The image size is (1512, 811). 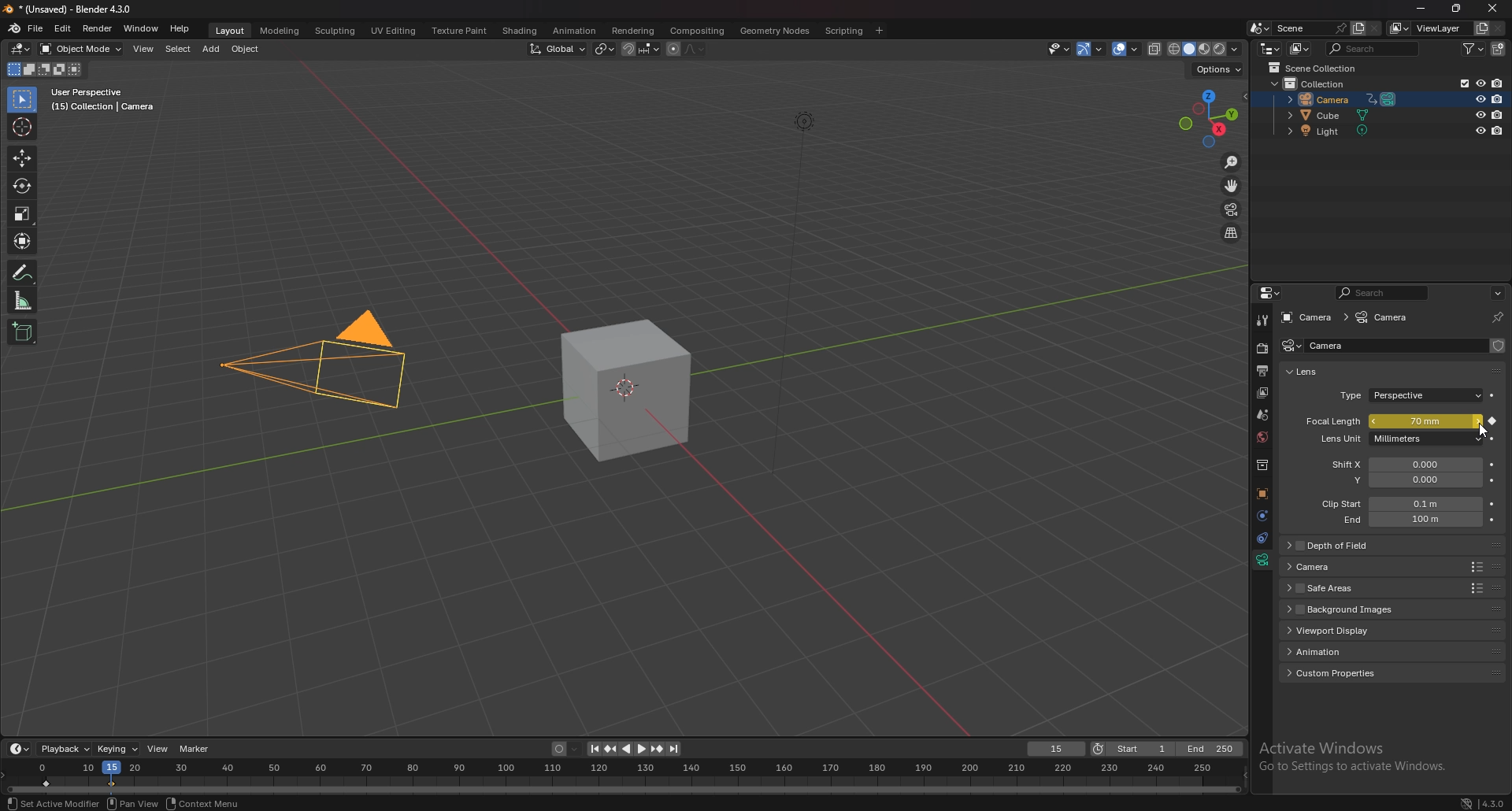 What do you see at coordinates (176, 49) in the screenshot?
I see `select` at bounding box center [176, 49].